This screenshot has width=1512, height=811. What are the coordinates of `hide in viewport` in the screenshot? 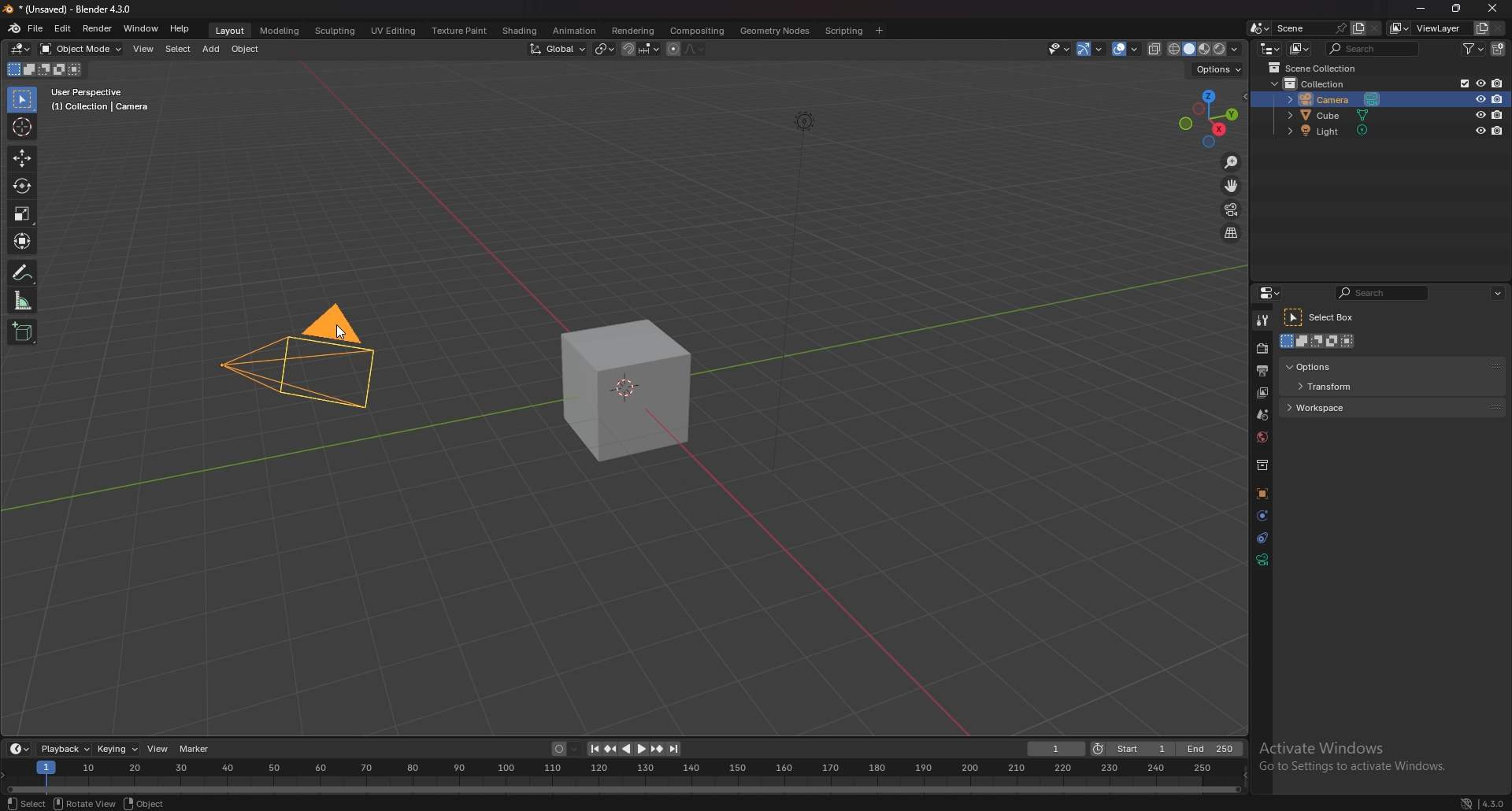 It's located at (1477, 131).